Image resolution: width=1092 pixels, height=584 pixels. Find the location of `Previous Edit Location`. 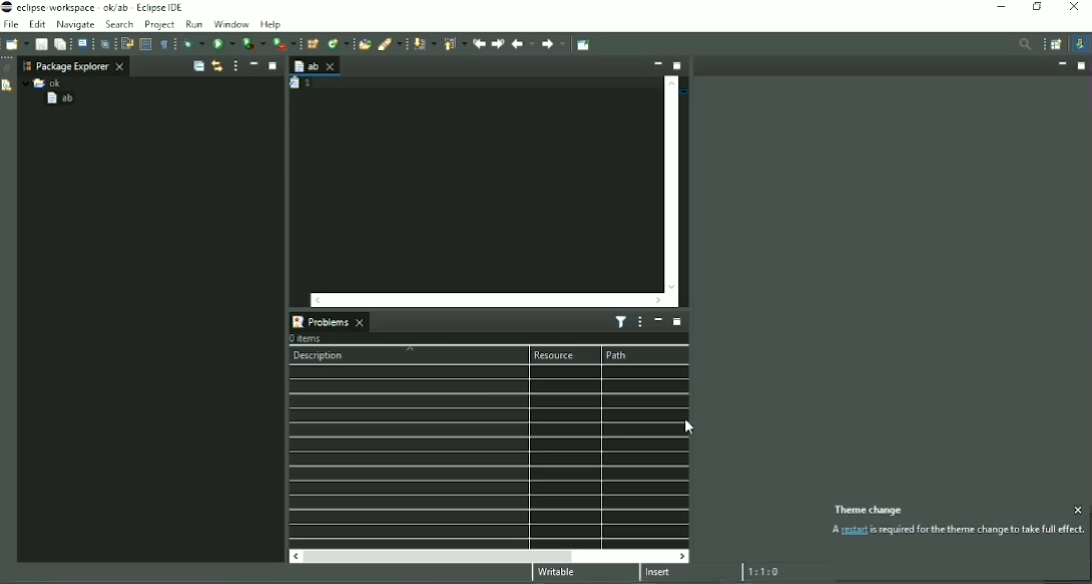

Previous Edit Location is located at coordinates (479, 42).